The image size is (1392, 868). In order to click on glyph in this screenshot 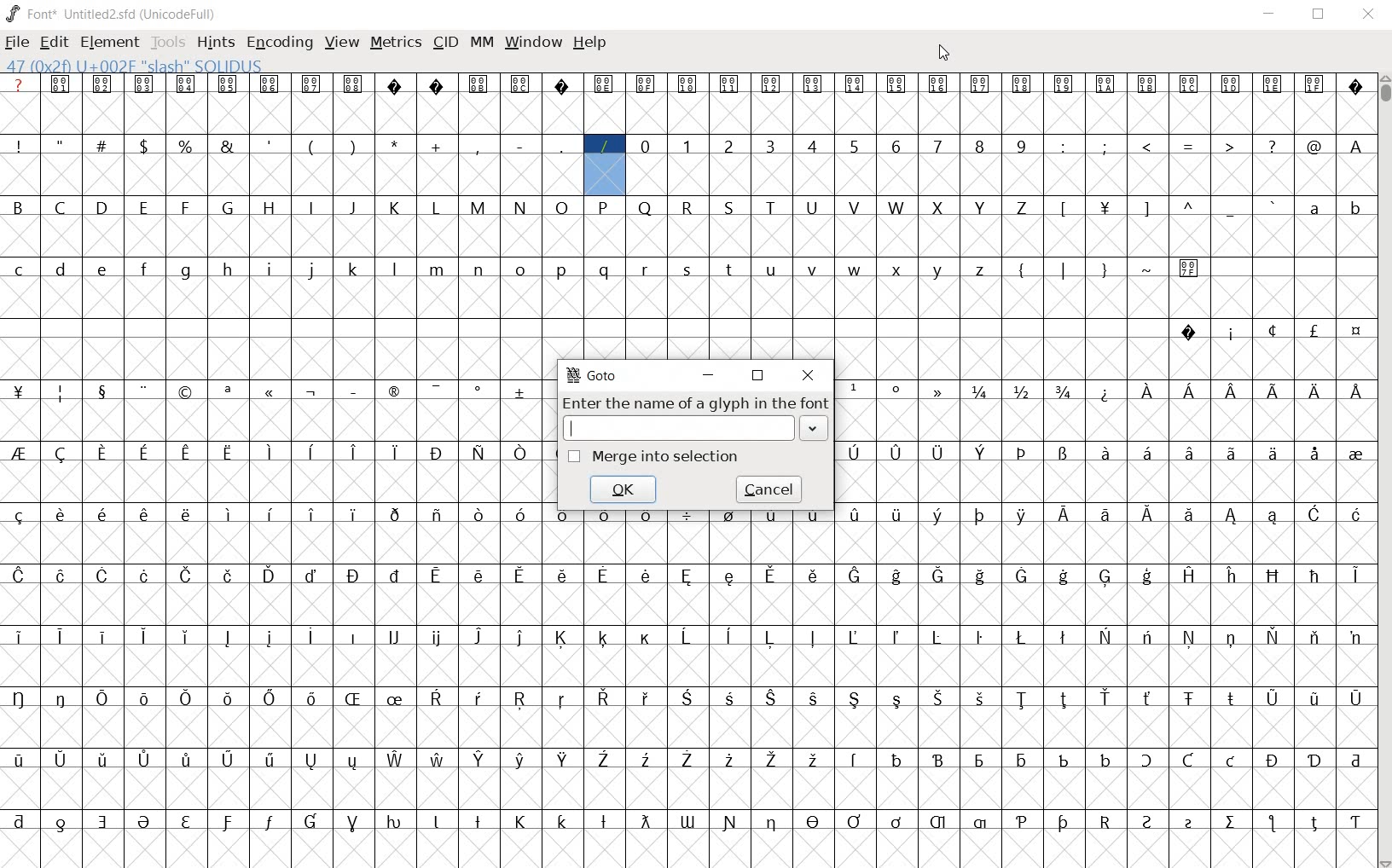, I will do `click(647, 518)`.